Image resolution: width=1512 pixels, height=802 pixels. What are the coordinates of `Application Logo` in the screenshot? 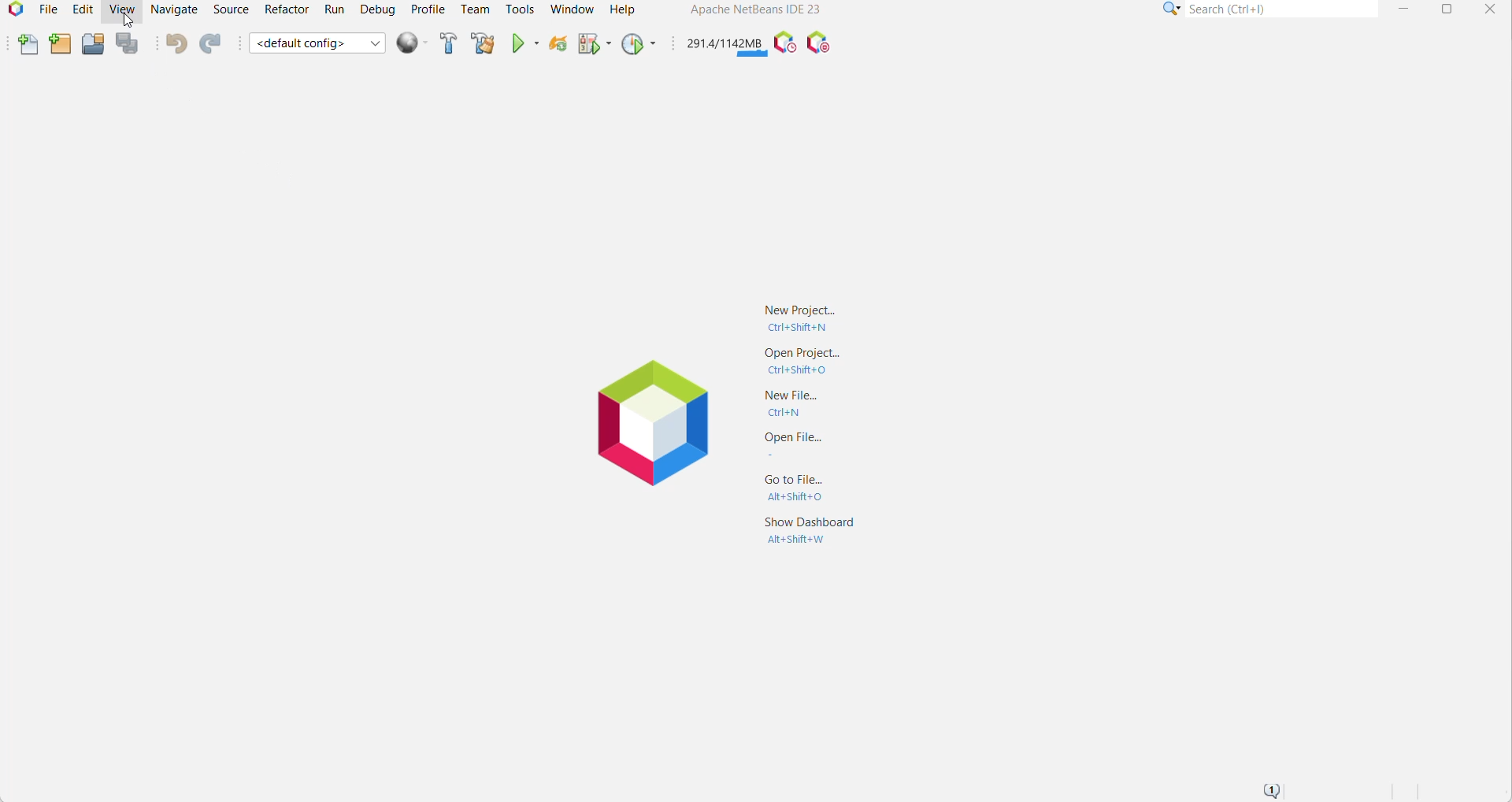 It's located at (647, 421).